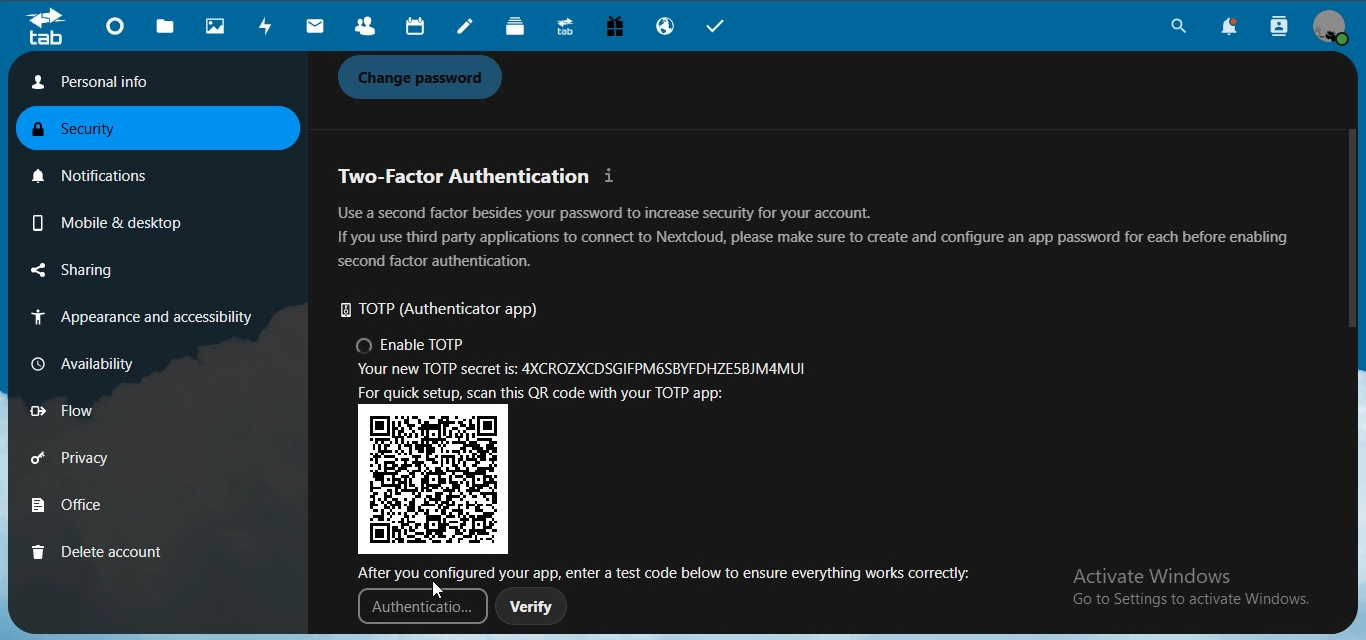  I want to click on availability, so click(94, 362).